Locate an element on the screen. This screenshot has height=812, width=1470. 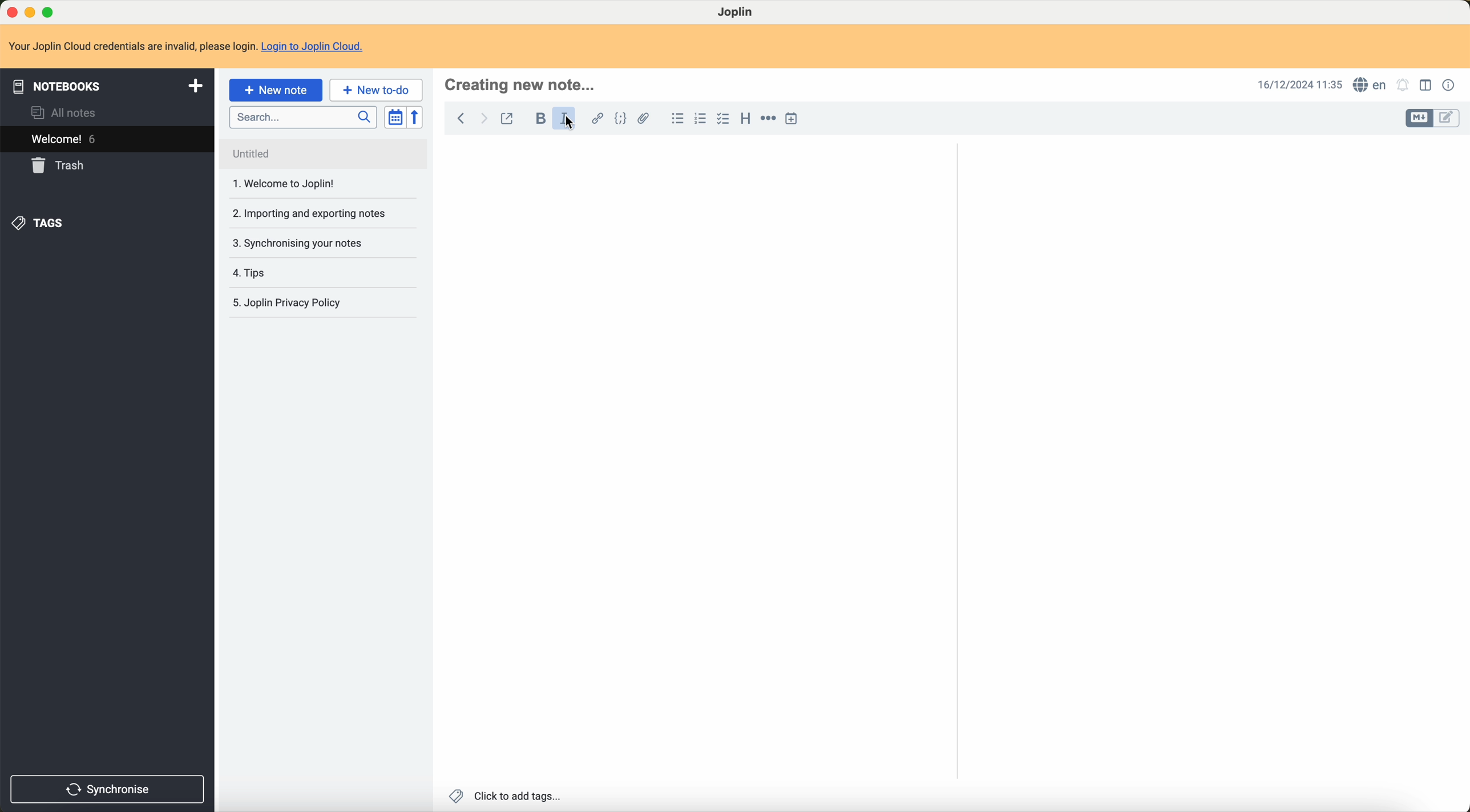
untitled is located at coordinates (277, 155).